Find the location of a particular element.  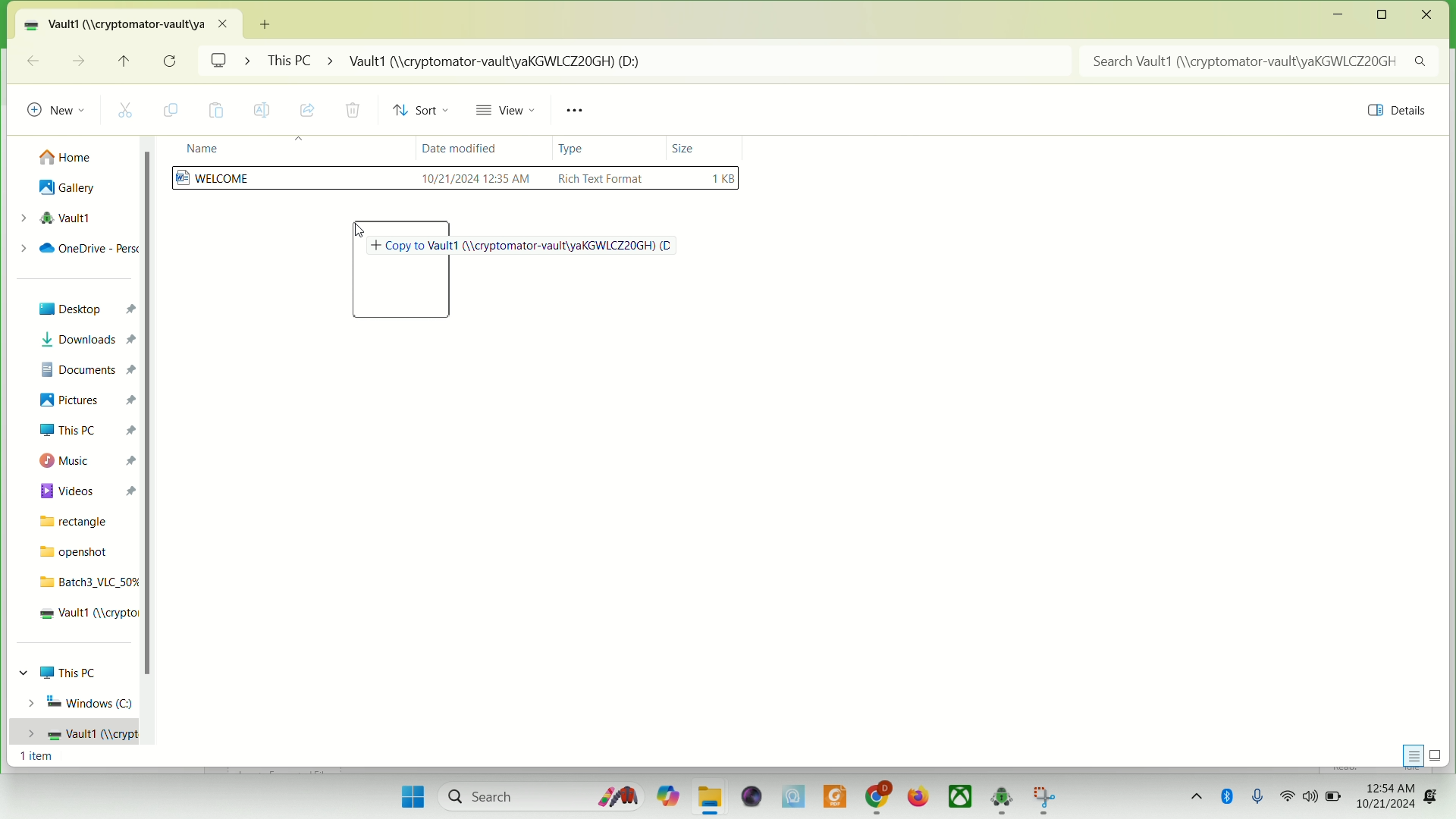

up to is located at coordinates (128, 64).